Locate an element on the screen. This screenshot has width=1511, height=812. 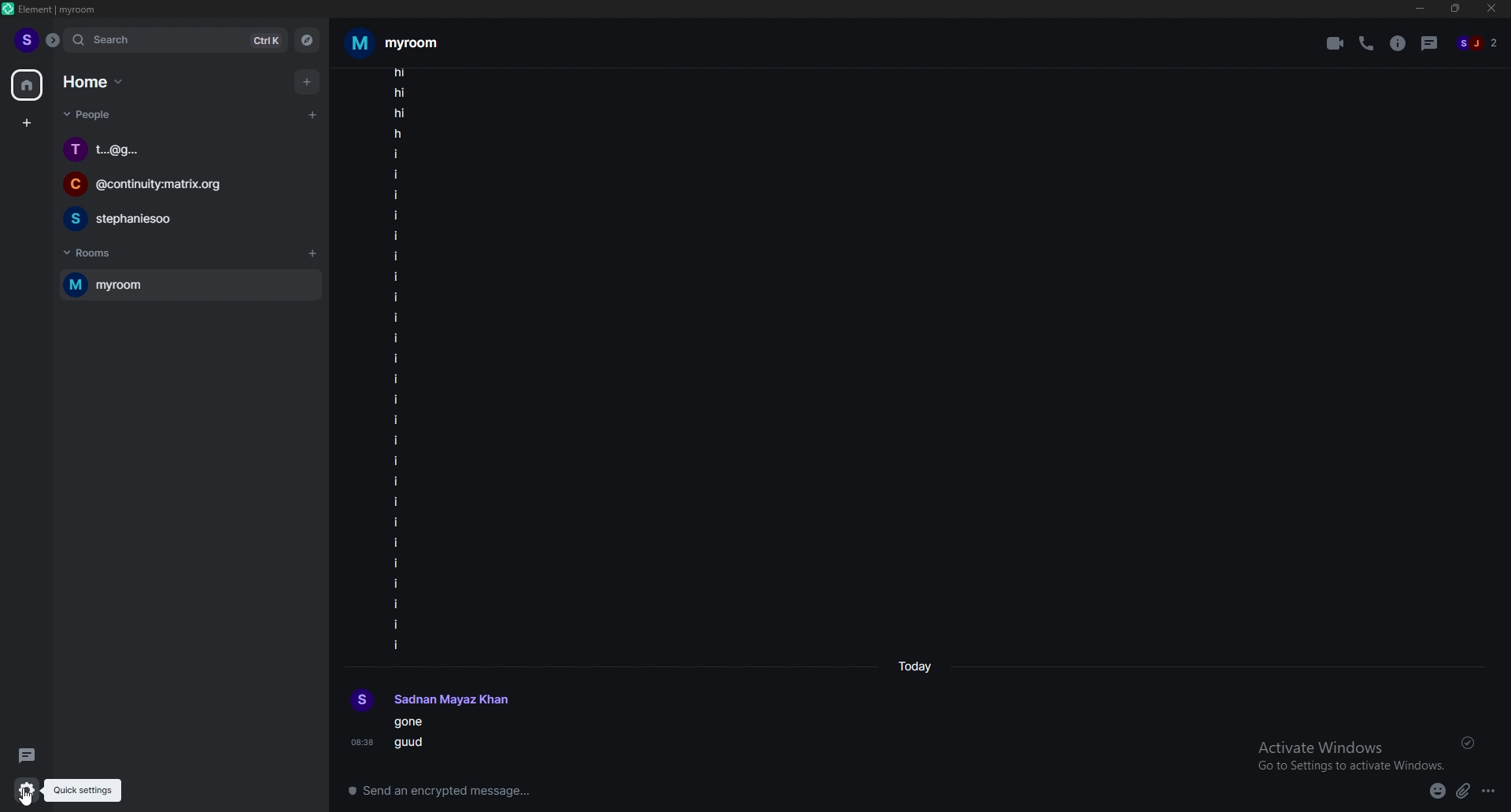
chat is located at coordinates (185, 149).